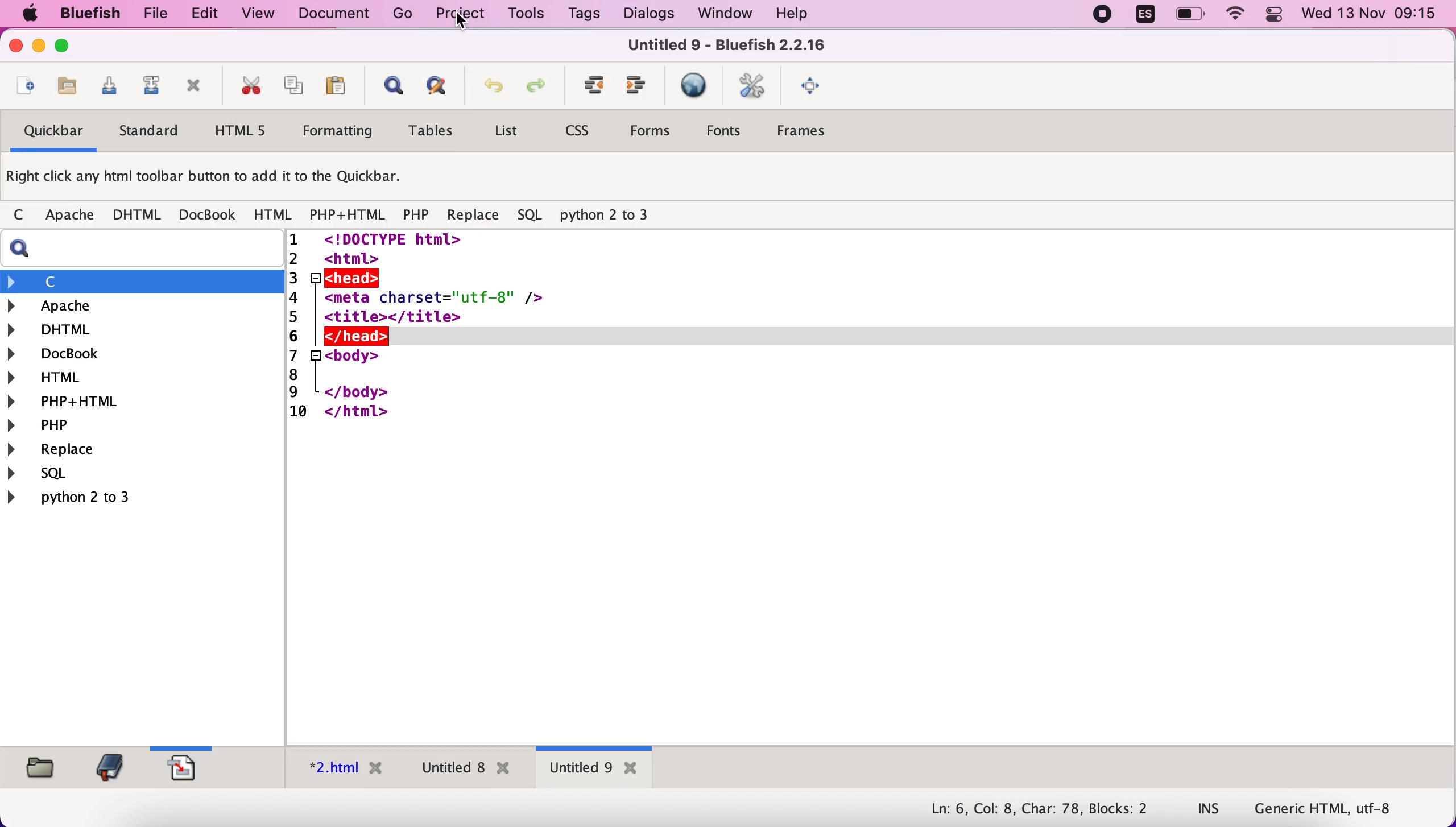 Image resolution: width=1456 pixels, height=827 pixels. I want to click on docbook, so click(208, 217).